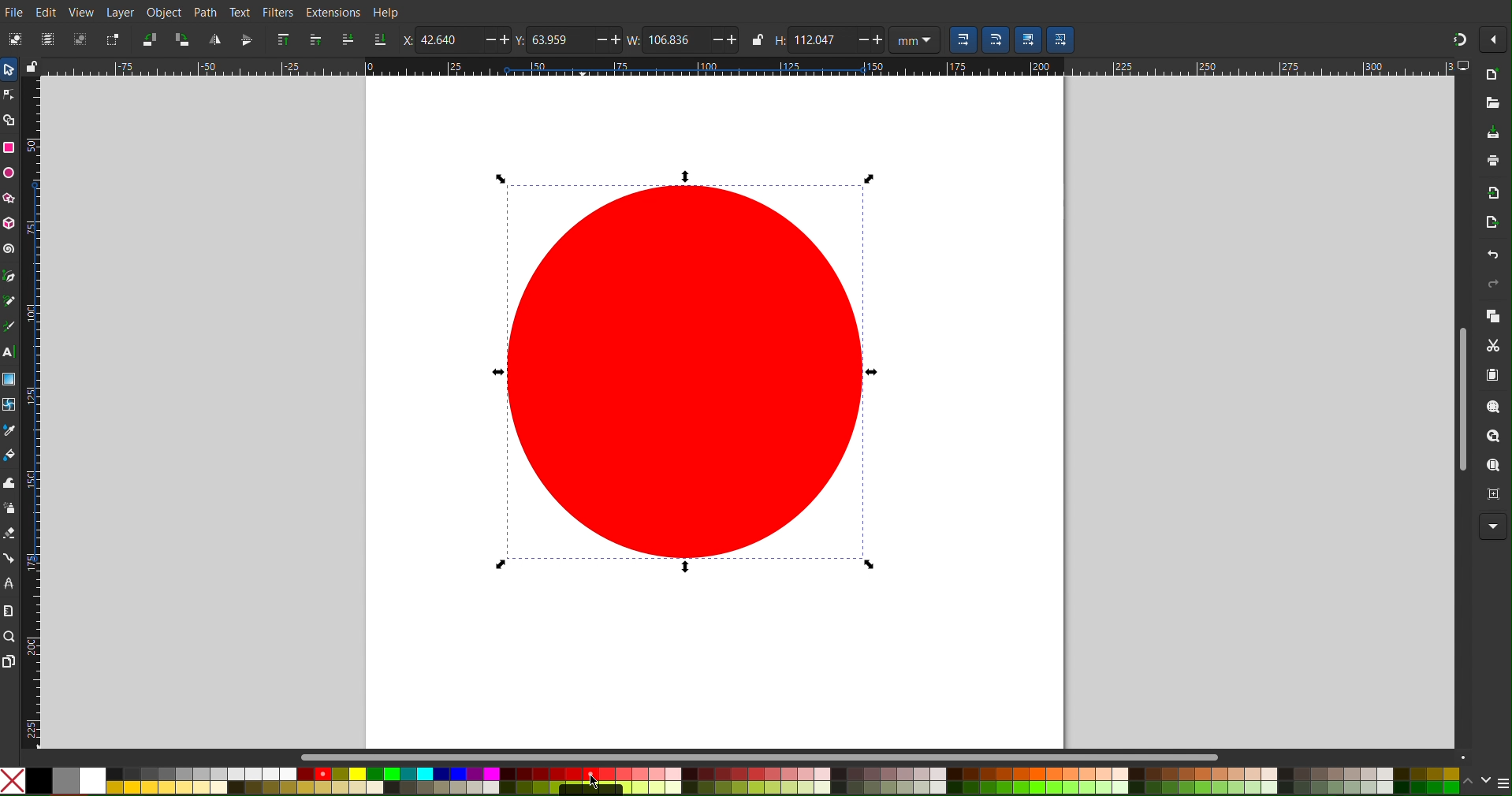 This screenshot has width=1512, height=796. I want to click on Scaling Option 3, so click(1027, 40).